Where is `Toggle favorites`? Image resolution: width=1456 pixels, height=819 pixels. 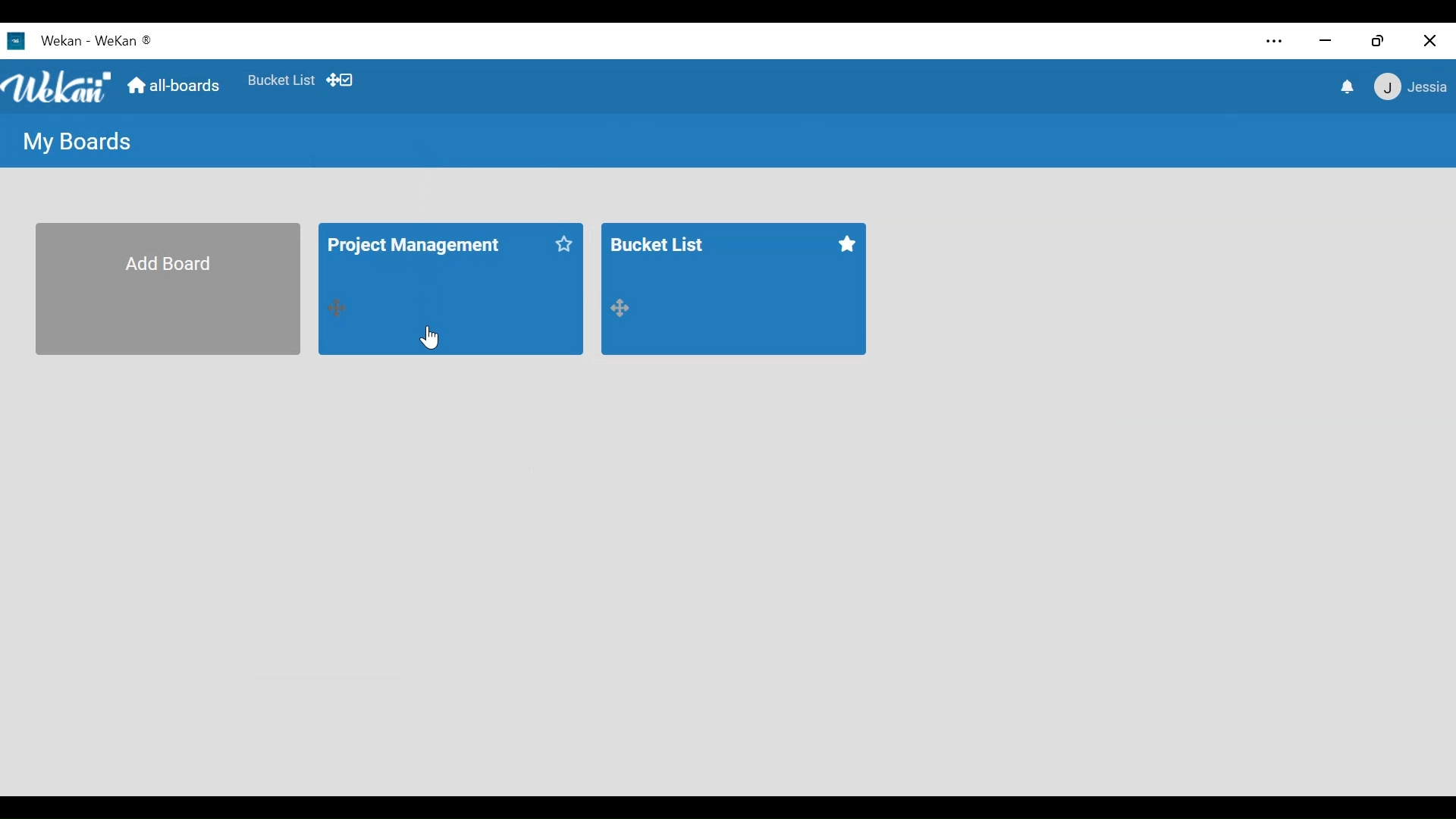
Toggle favorites is located at coordinates (280, 80).